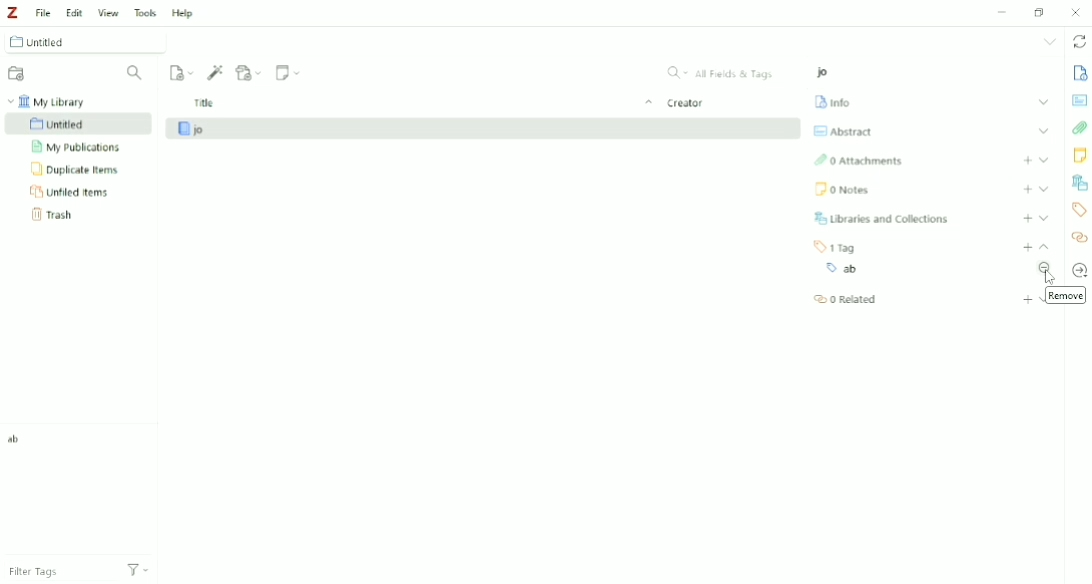  Describe the element at coordinates (1044, 131) in the screenshot. I see `Expand section` at that location.